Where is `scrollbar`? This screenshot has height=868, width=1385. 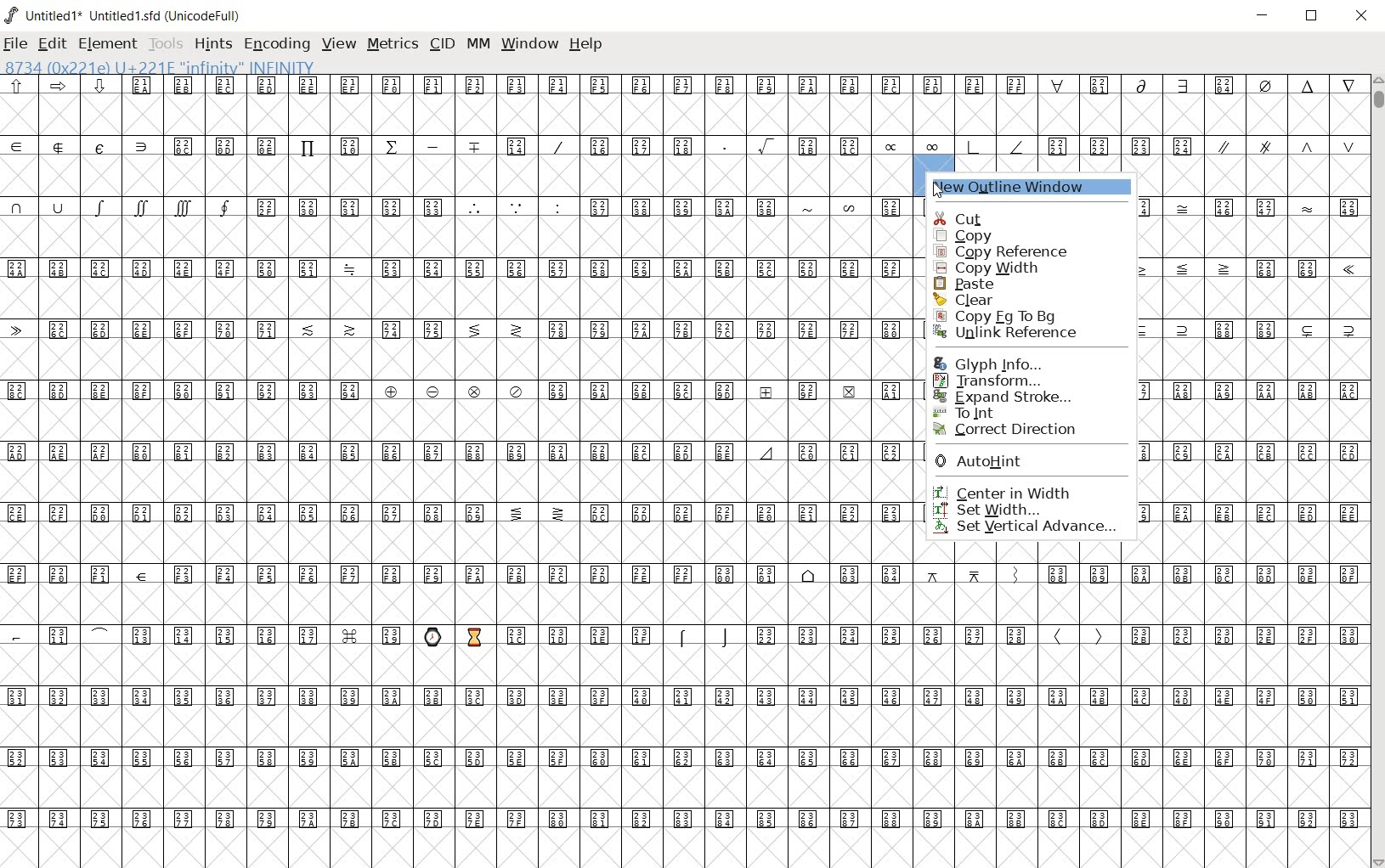 scrollbar is located at coordinates (1377, 470).